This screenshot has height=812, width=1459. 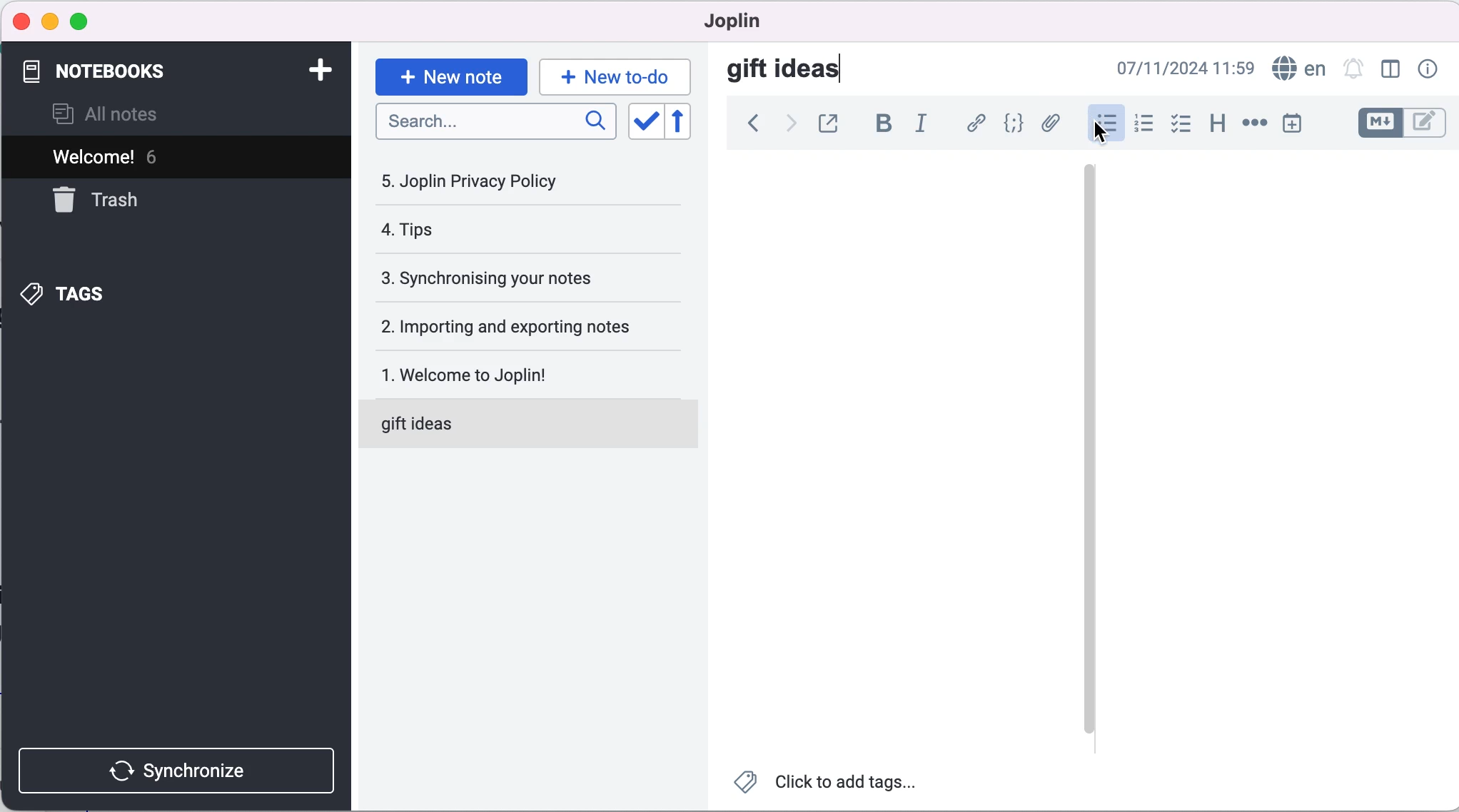 I want to click on numbered list, so click(x=1144, y=124).